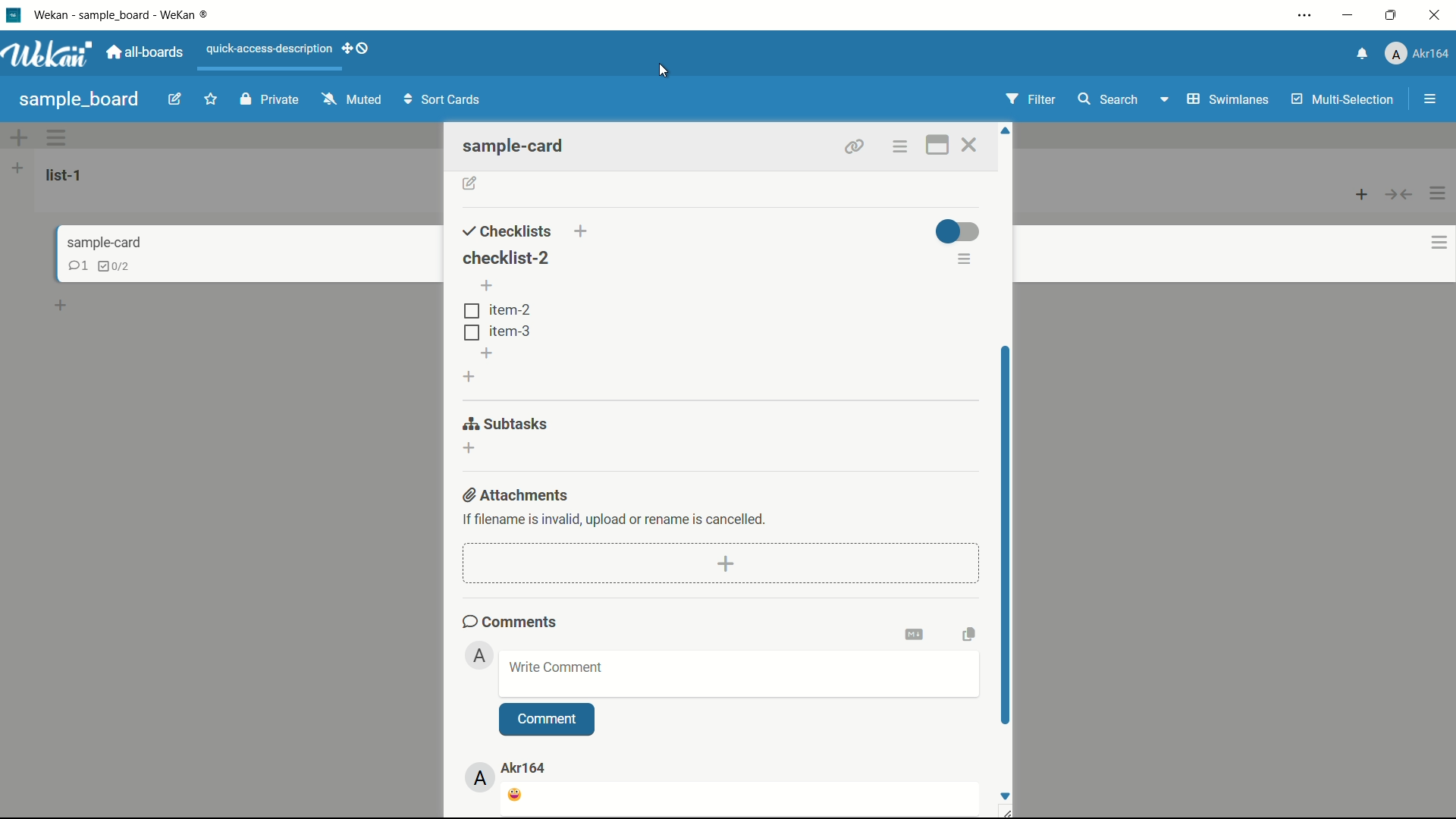 This screenshot has height=819, width=1456. Describe the element at coordinates (965, 261) in the screenshot. I see `checklist actions` at that location.